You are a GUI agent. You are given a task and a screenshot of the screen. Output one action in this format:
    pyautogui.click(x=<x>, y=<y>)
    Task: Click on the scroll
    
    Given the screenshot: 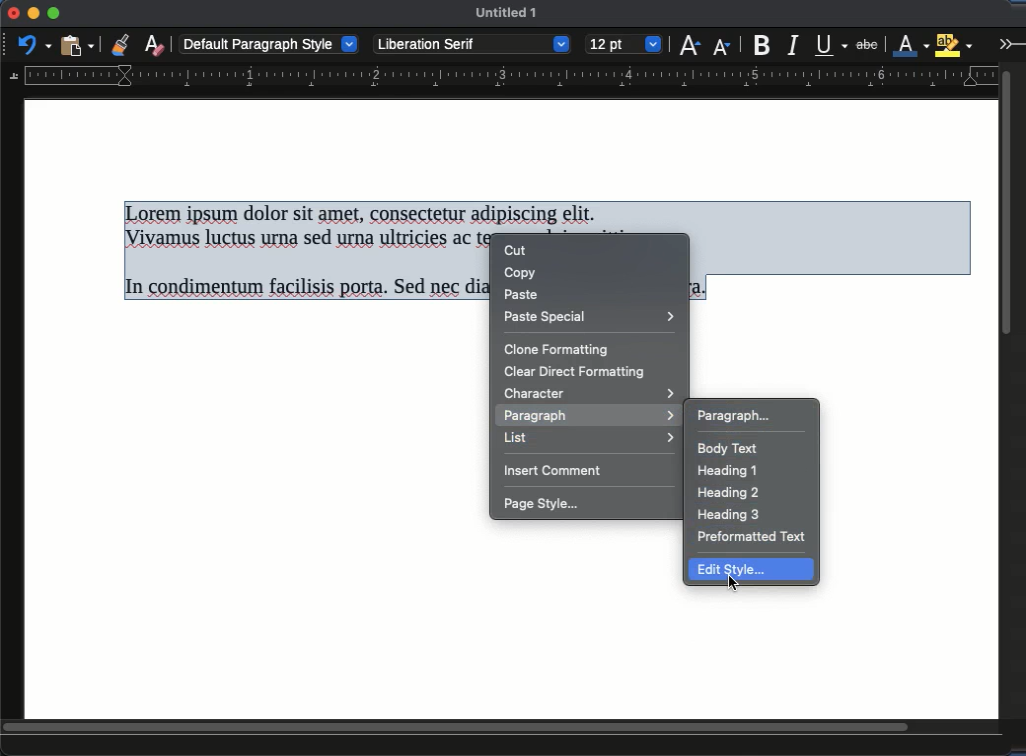 What is the action you would take?
    pyautogui.click(x=502, y=729)
    